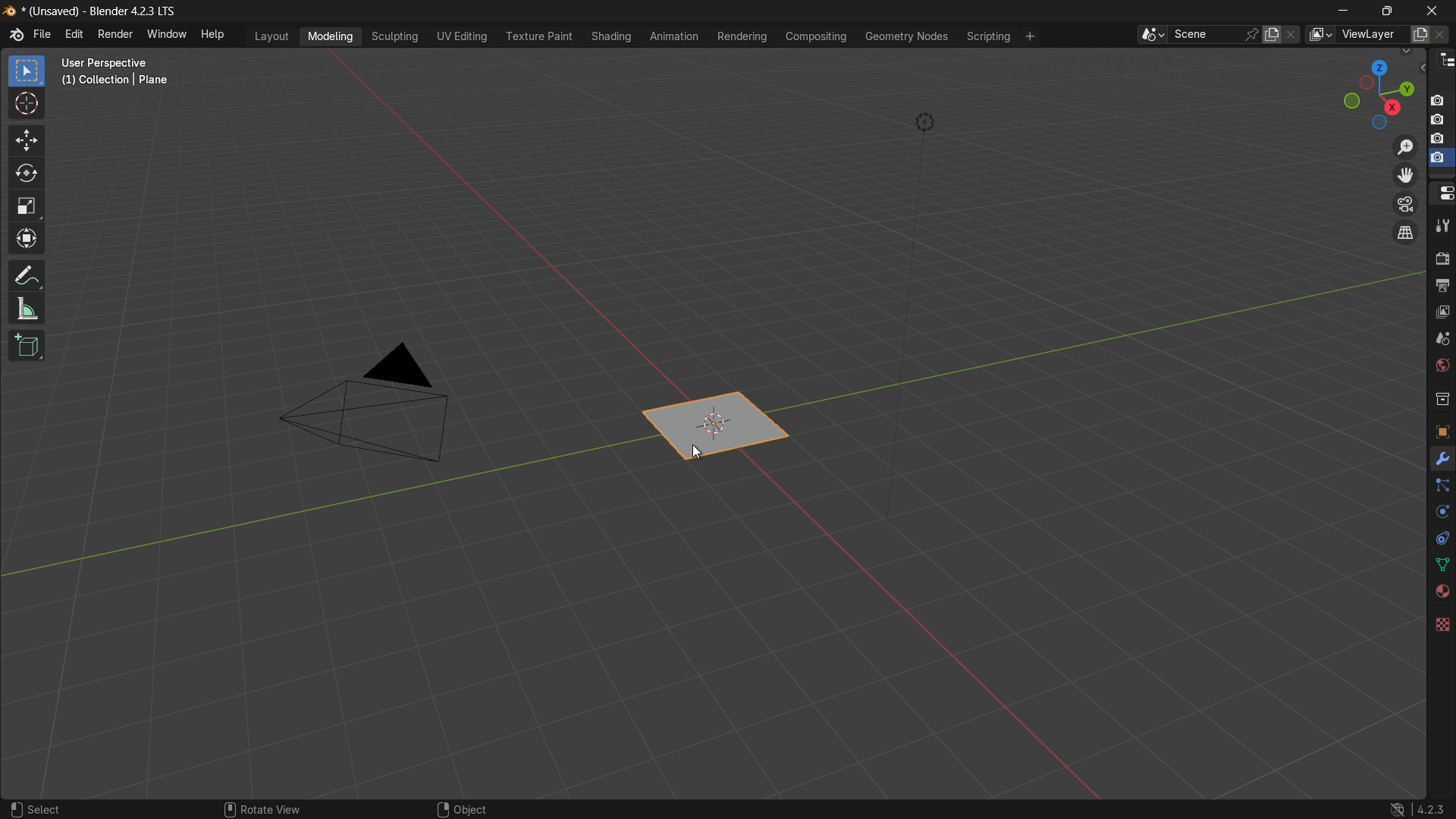  What do you see at coordinates (1441, 431) in the screenshot?
I see `object` at bounding box center [1441, 431].